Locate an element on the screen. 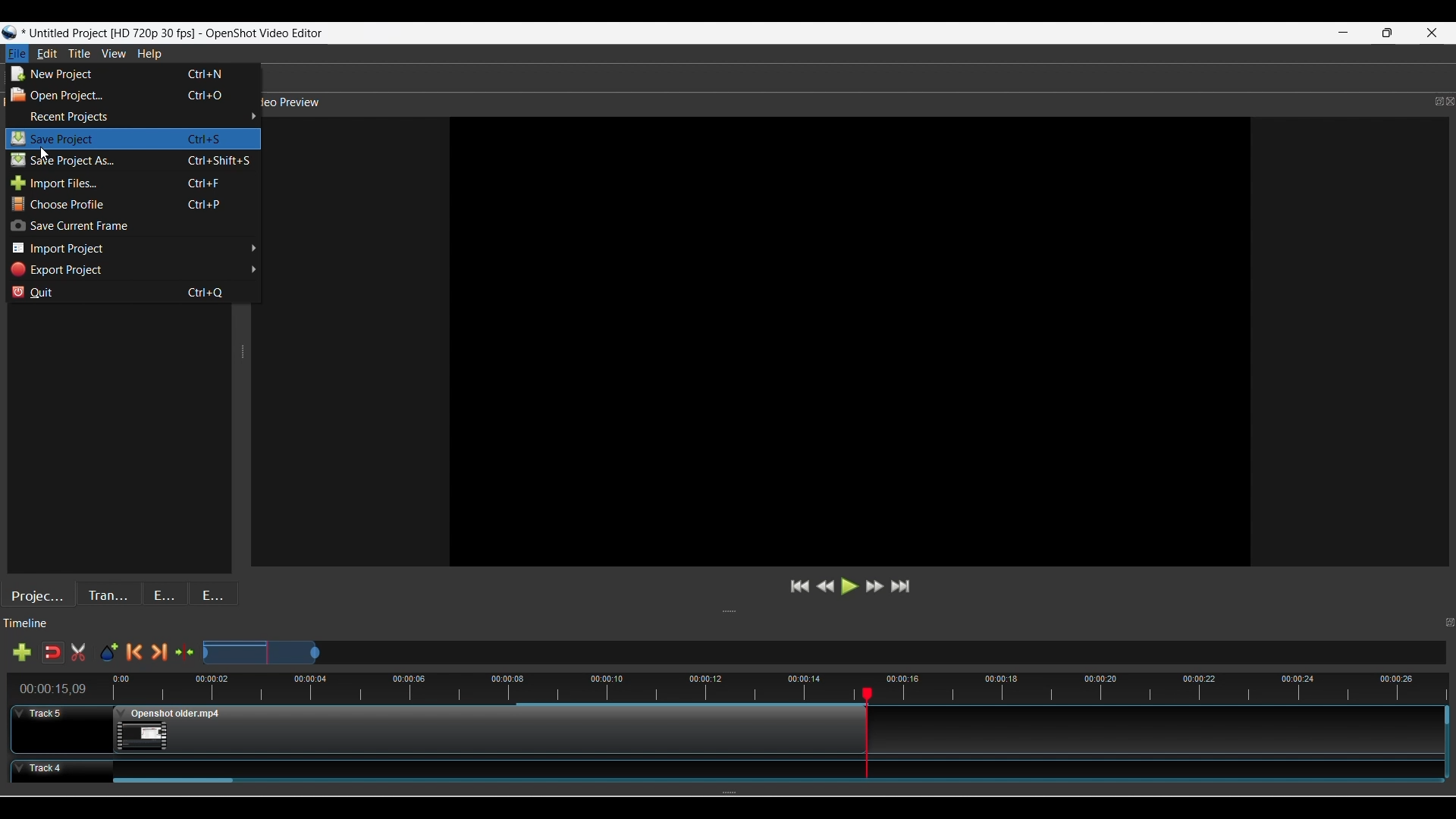 This screenshot has width=1456, height=819. Horizontal slide bar is located at coordinates (173, 781).